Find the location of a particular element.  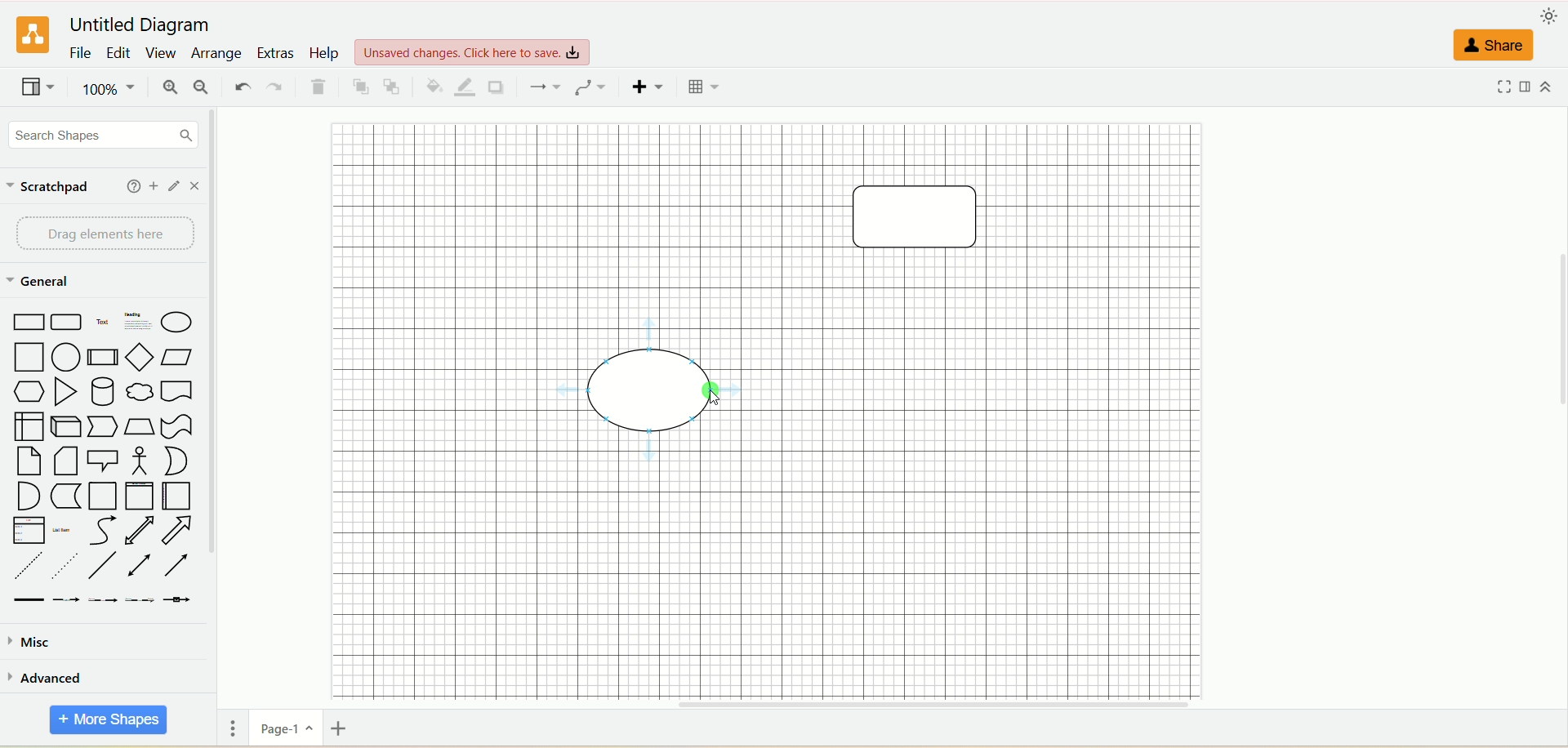

zoom in is located at coordinates (170, 89).